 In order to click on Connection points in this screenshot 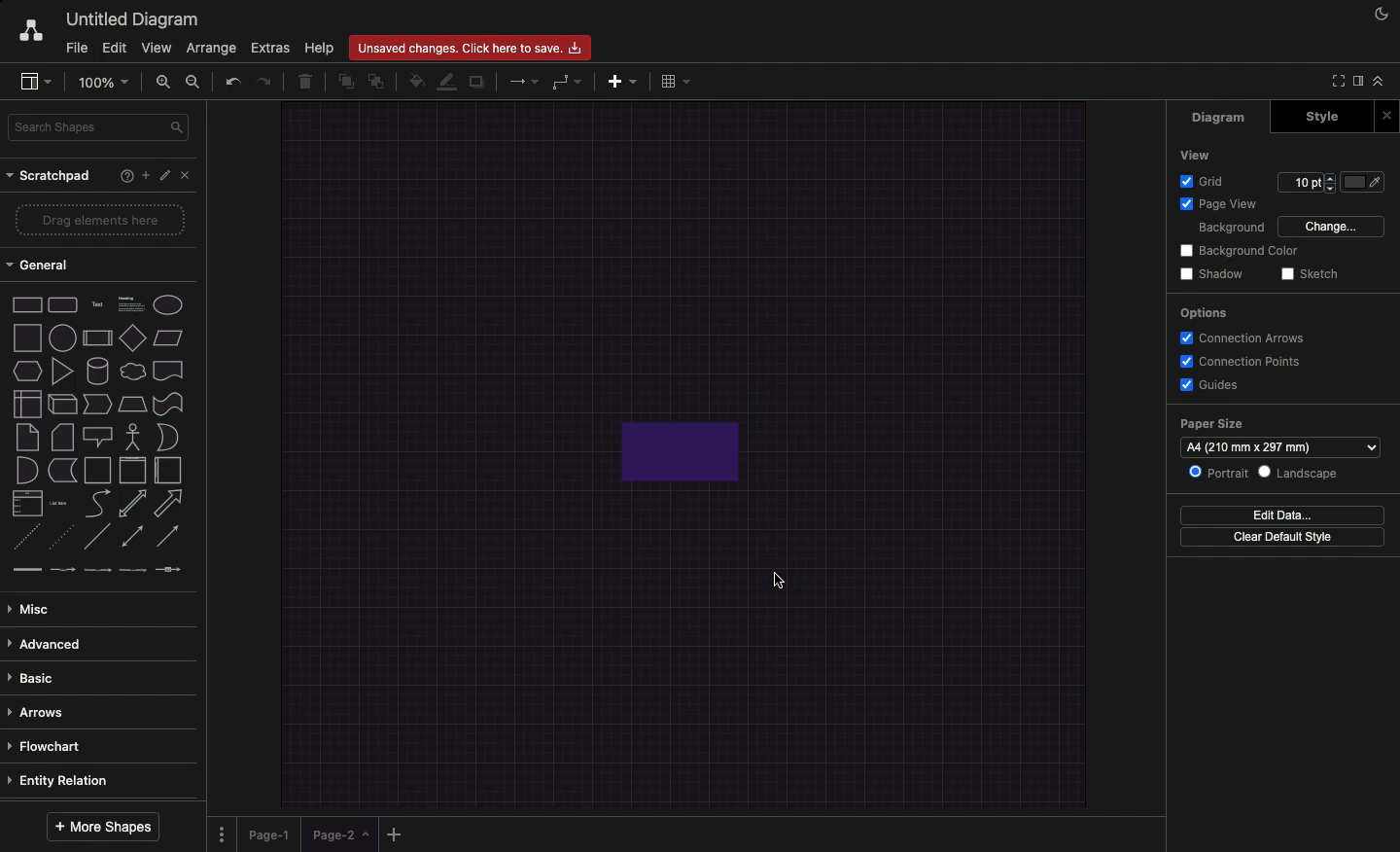, I will do `click(1242, 362)`.